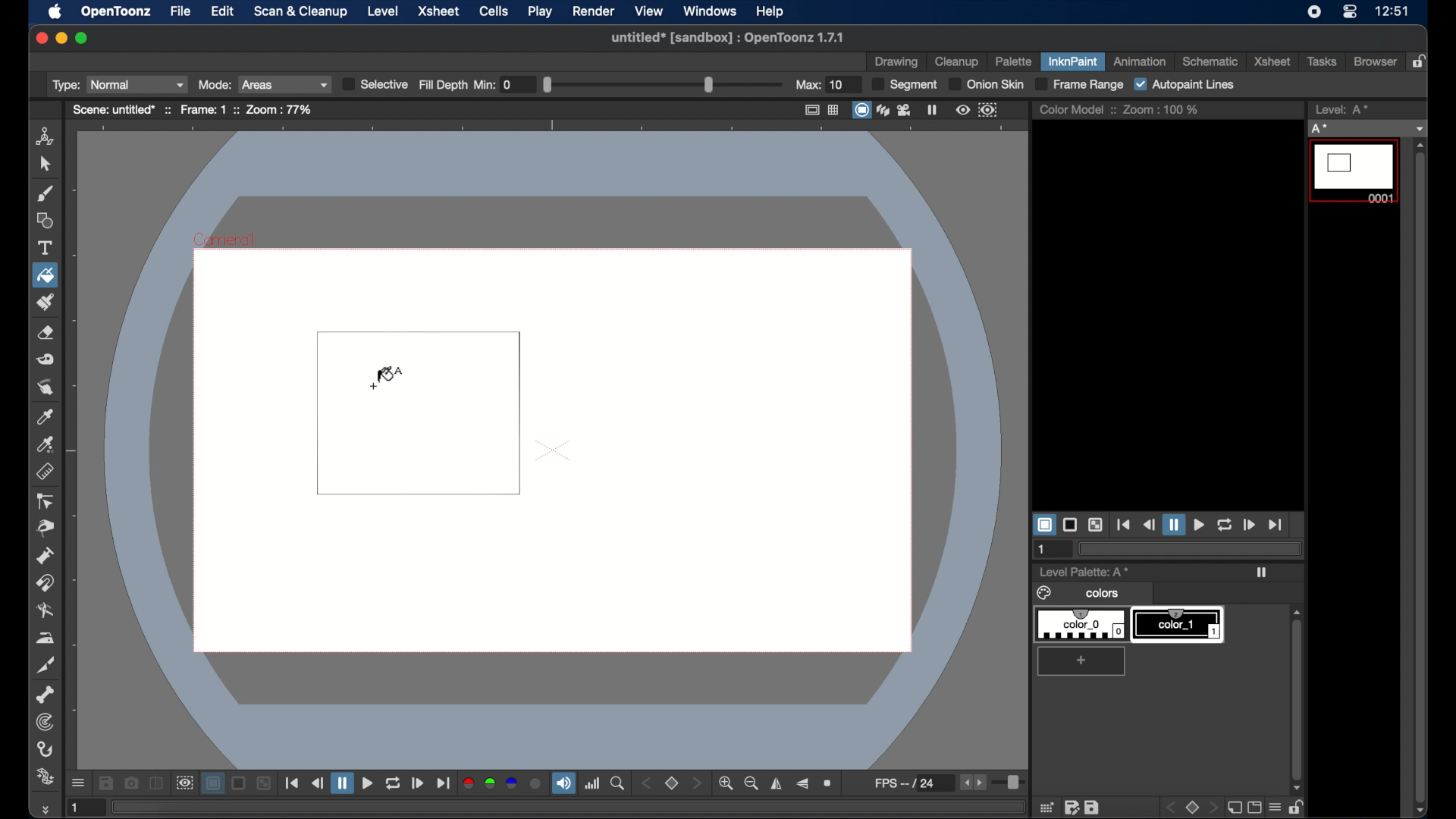  Describe the element at coordinates (645, 783) in the screenshot. I see `stepper button` at that location.